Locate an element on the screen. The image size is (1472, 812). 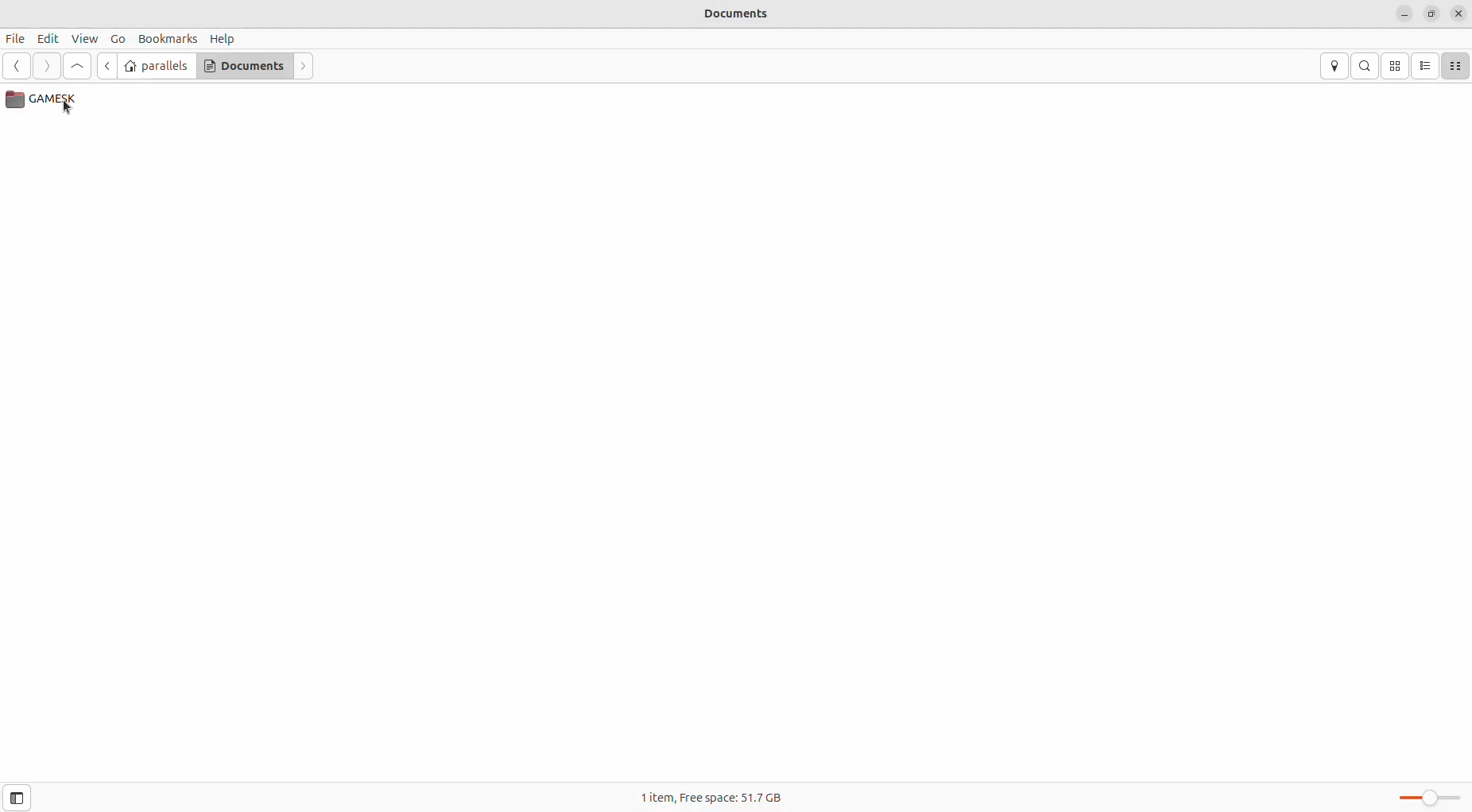
parallels is located at coordinates (157, 66).